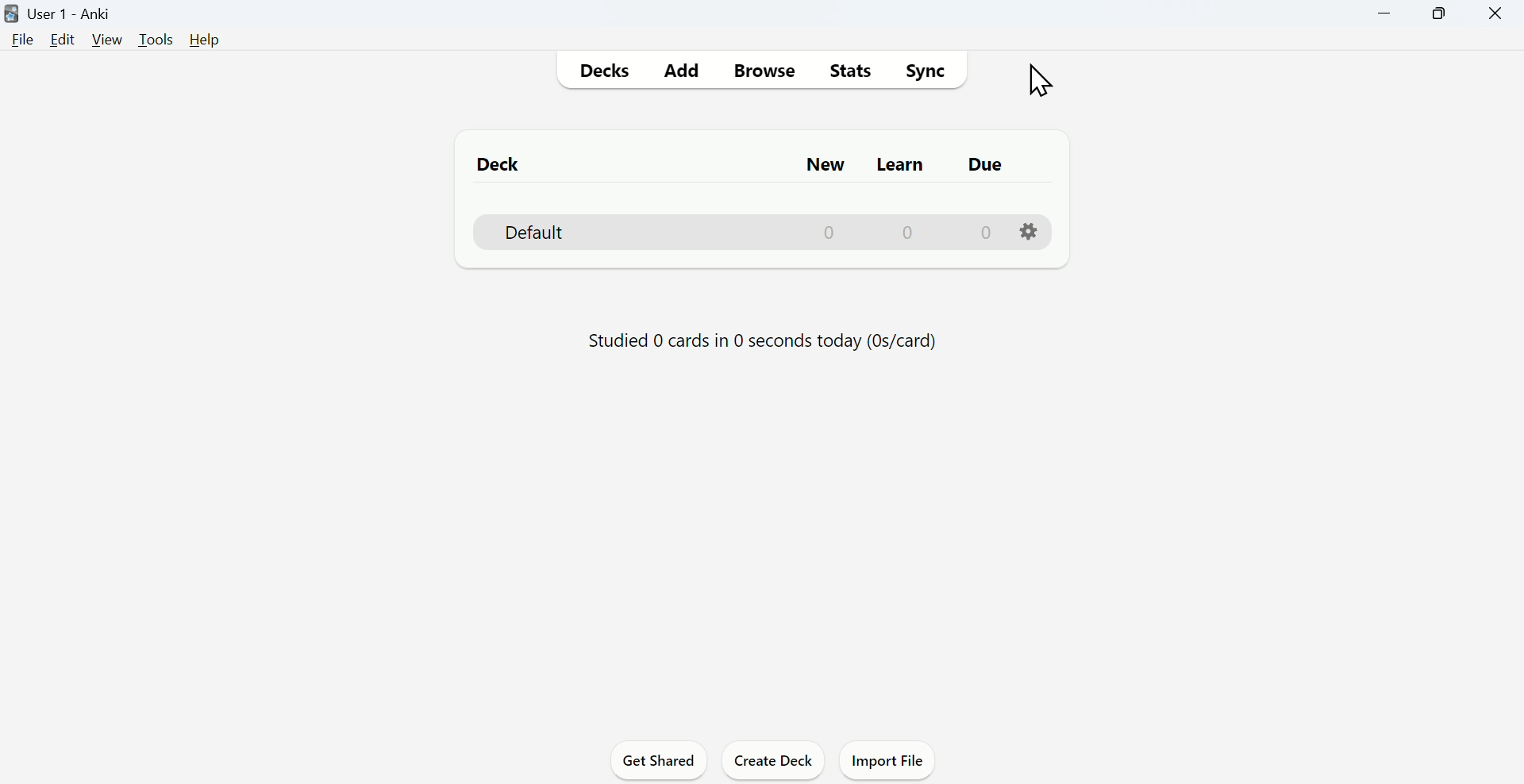 The width and height of the screenshot is (1524, 784). Describe the element at coordinates (1439, 18) in the screenshot. I see `Maximize` at that location.